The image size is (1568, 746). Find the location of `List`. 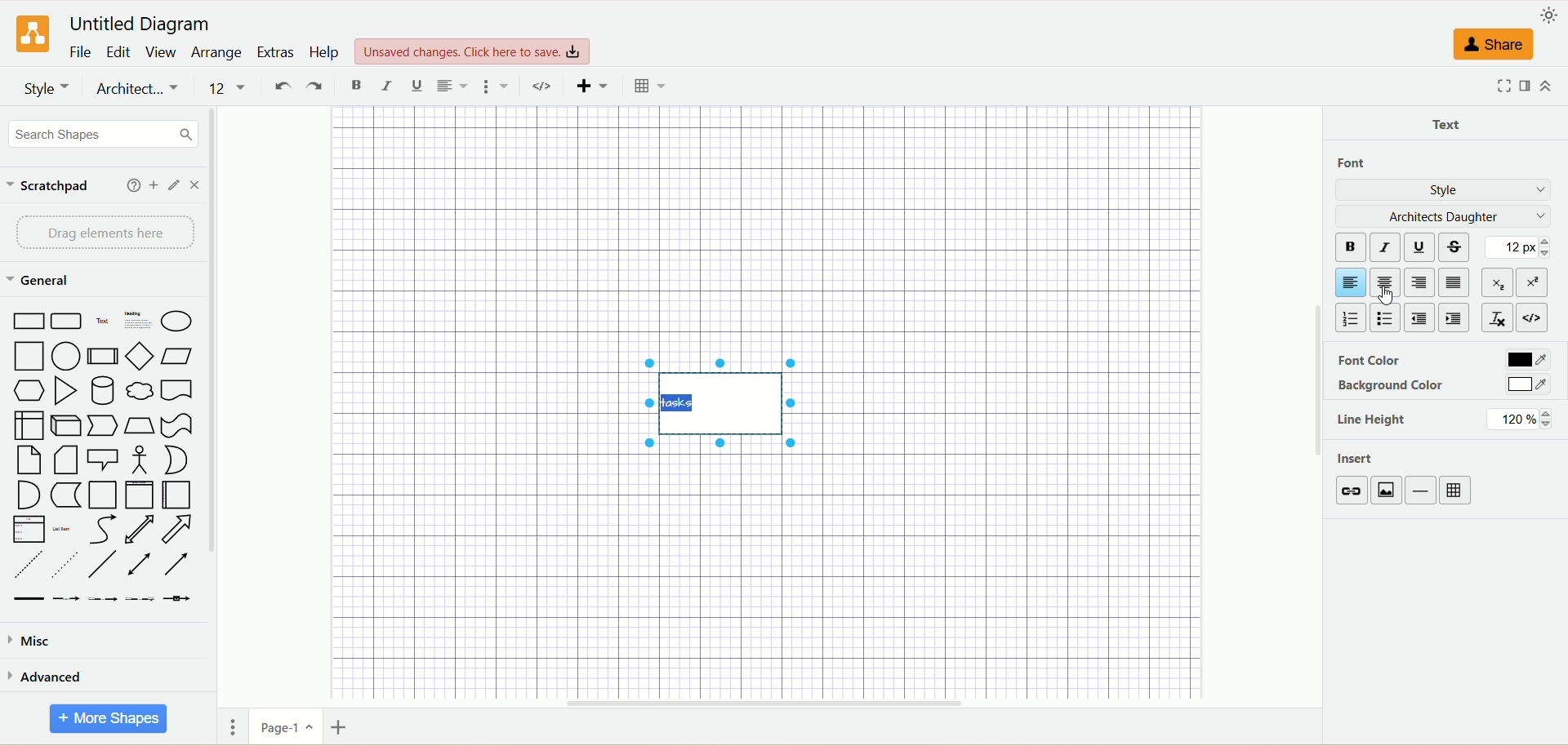

List is located at coordinates (29, 531).